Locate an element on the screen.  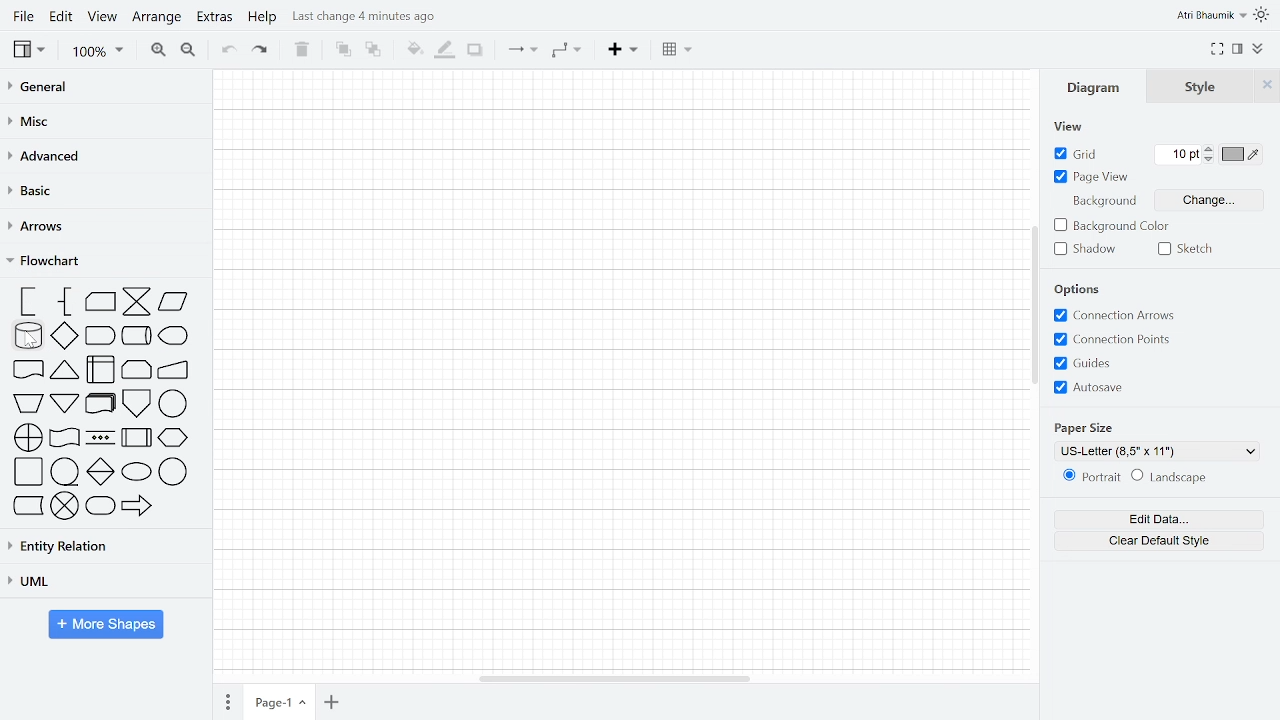
Connection arrows is located at coordinates (1116, 316).